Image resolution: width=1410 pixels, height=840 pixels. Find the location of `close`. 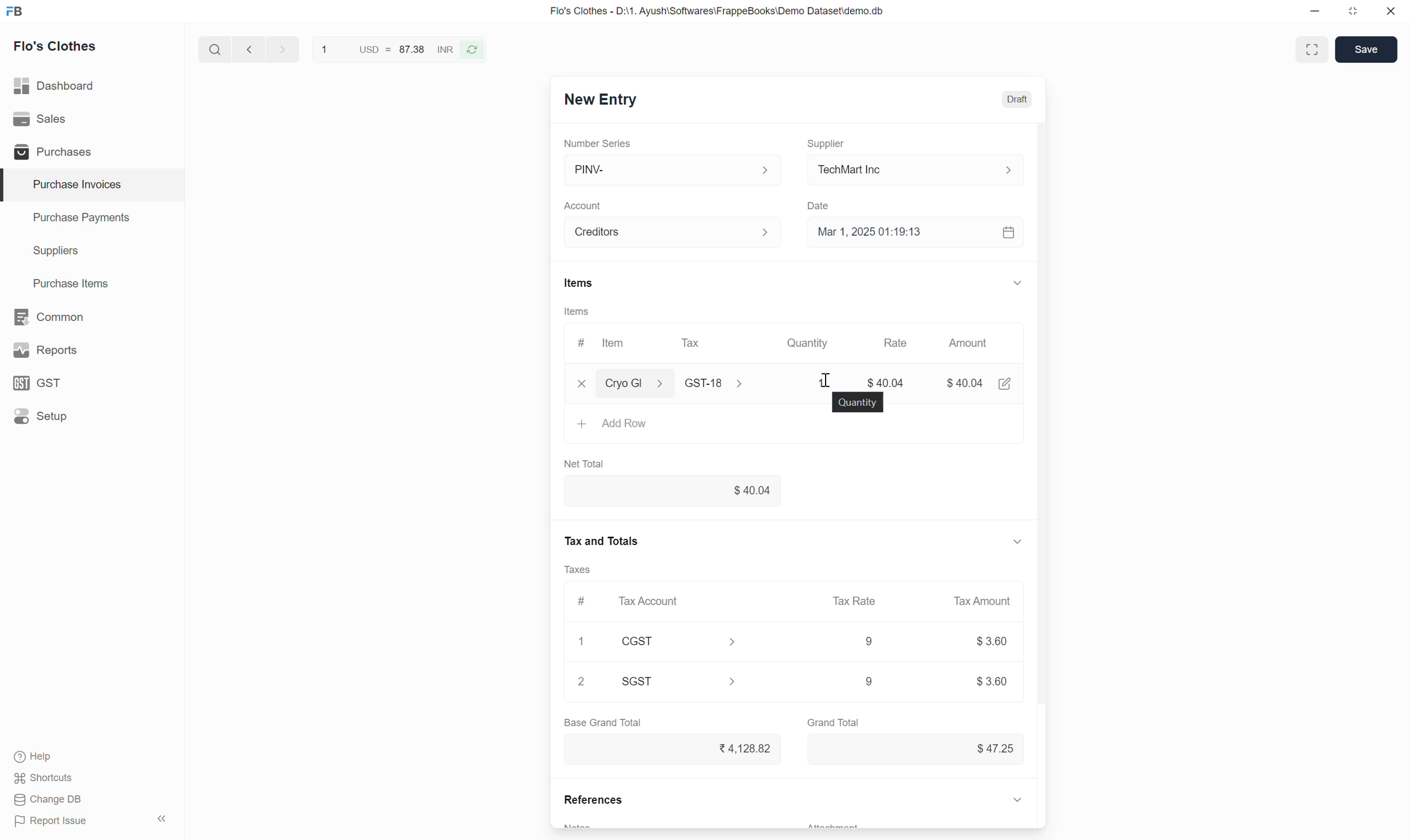

close is located at coordinates (1391, 13).